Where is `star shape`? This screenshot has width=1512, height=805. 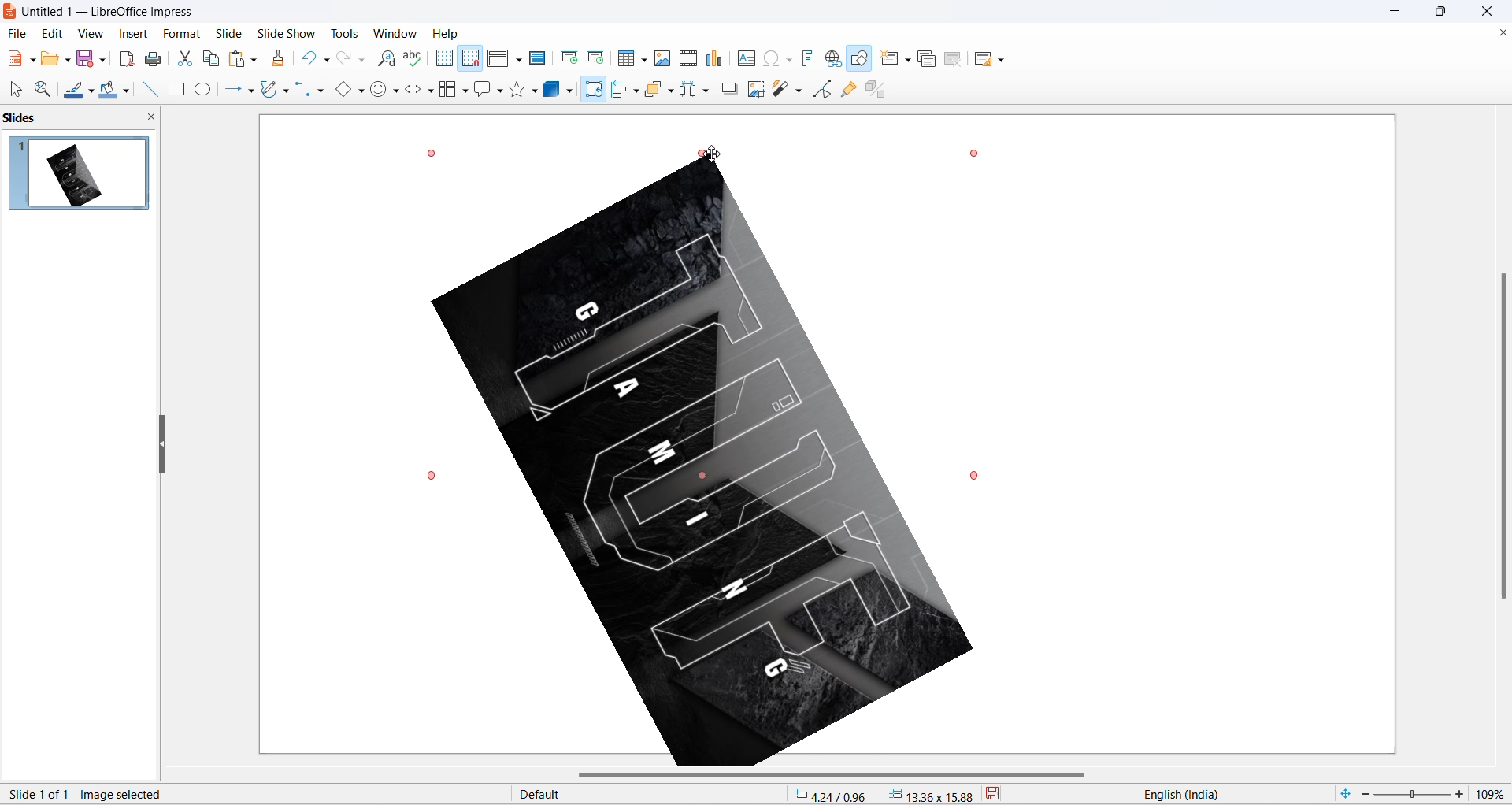
star shape is located at coordinates (517, 90).